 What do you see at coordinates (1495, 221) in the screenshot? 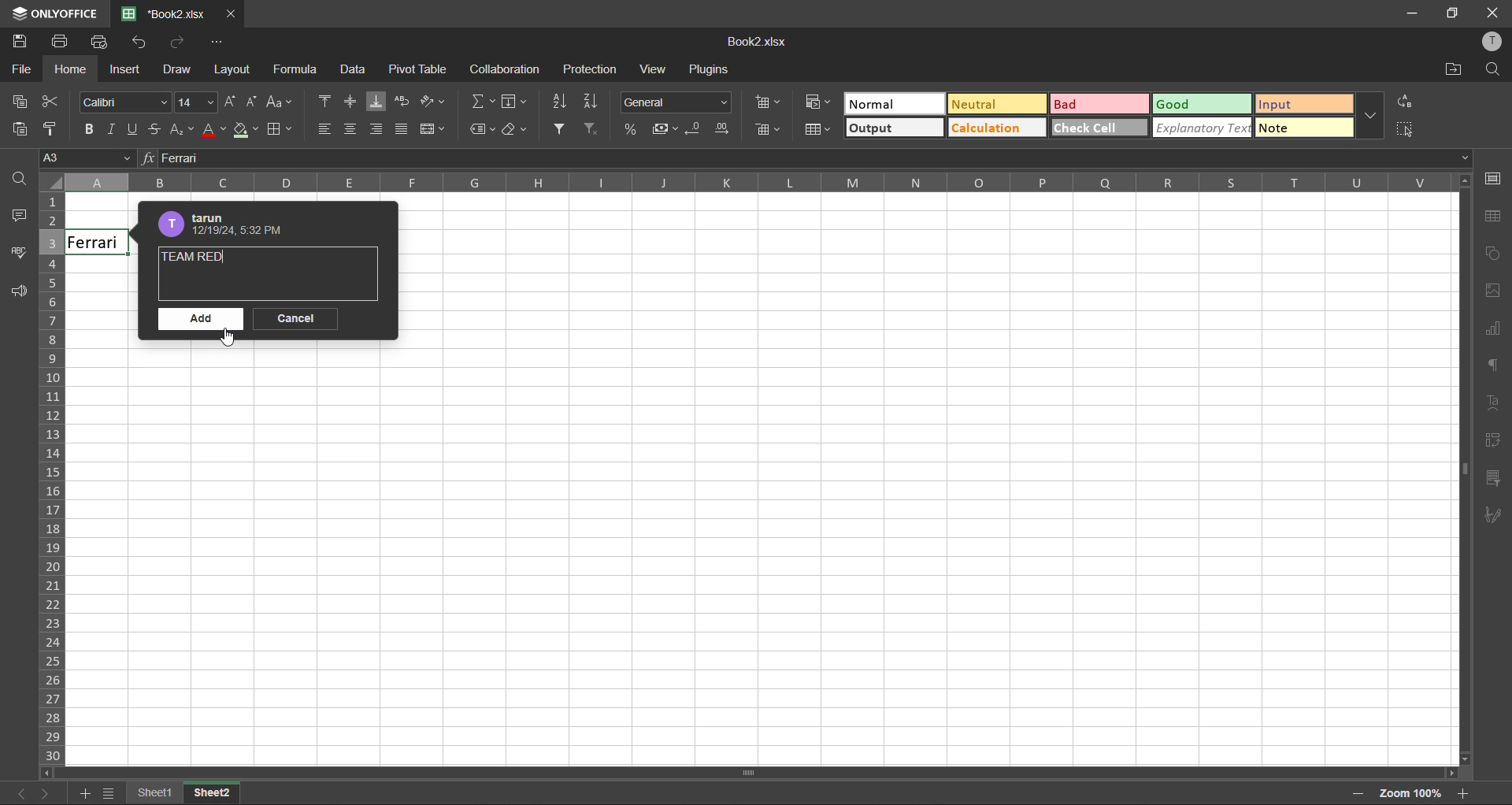
I see `table` at bounding box center [1495, 221].